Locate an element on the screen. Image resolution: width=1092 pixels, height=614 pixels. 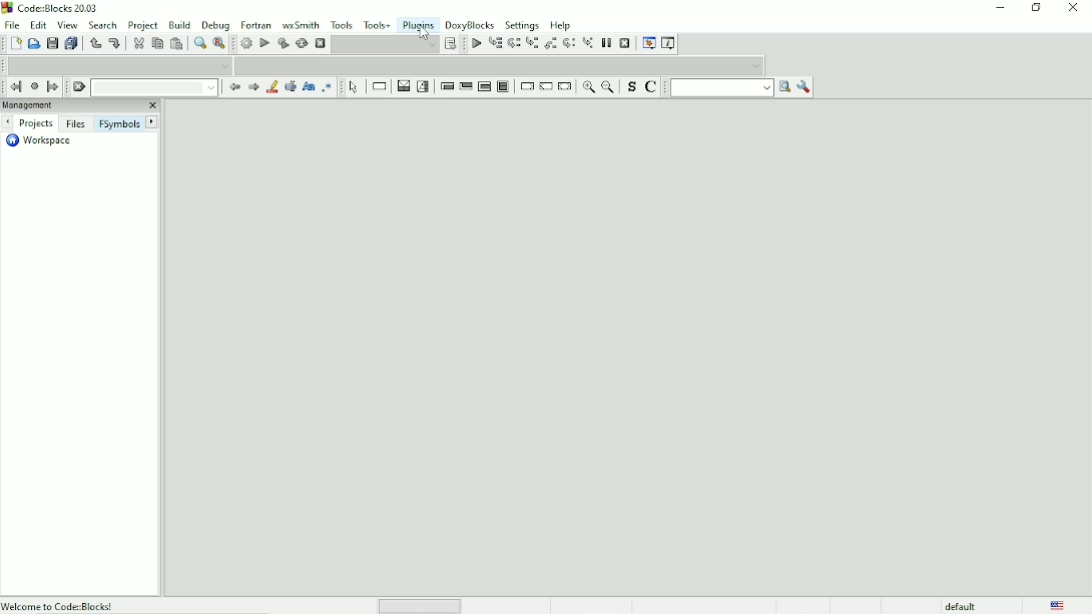
Search is located at coordinates (103, 24).